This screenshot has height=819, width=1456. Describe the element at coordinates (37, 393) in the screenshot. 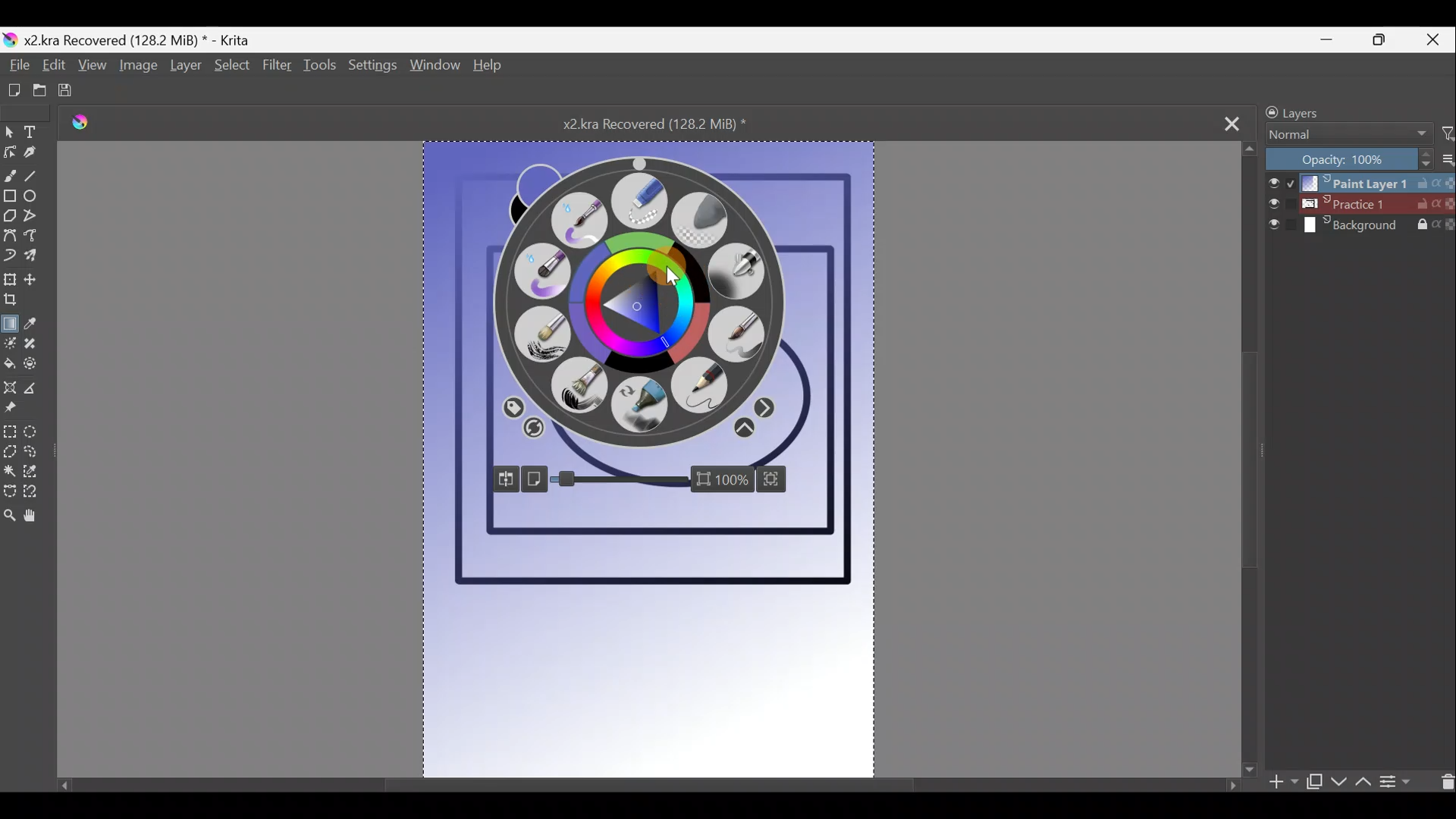

I see `Measure the distance between two points` at that location.